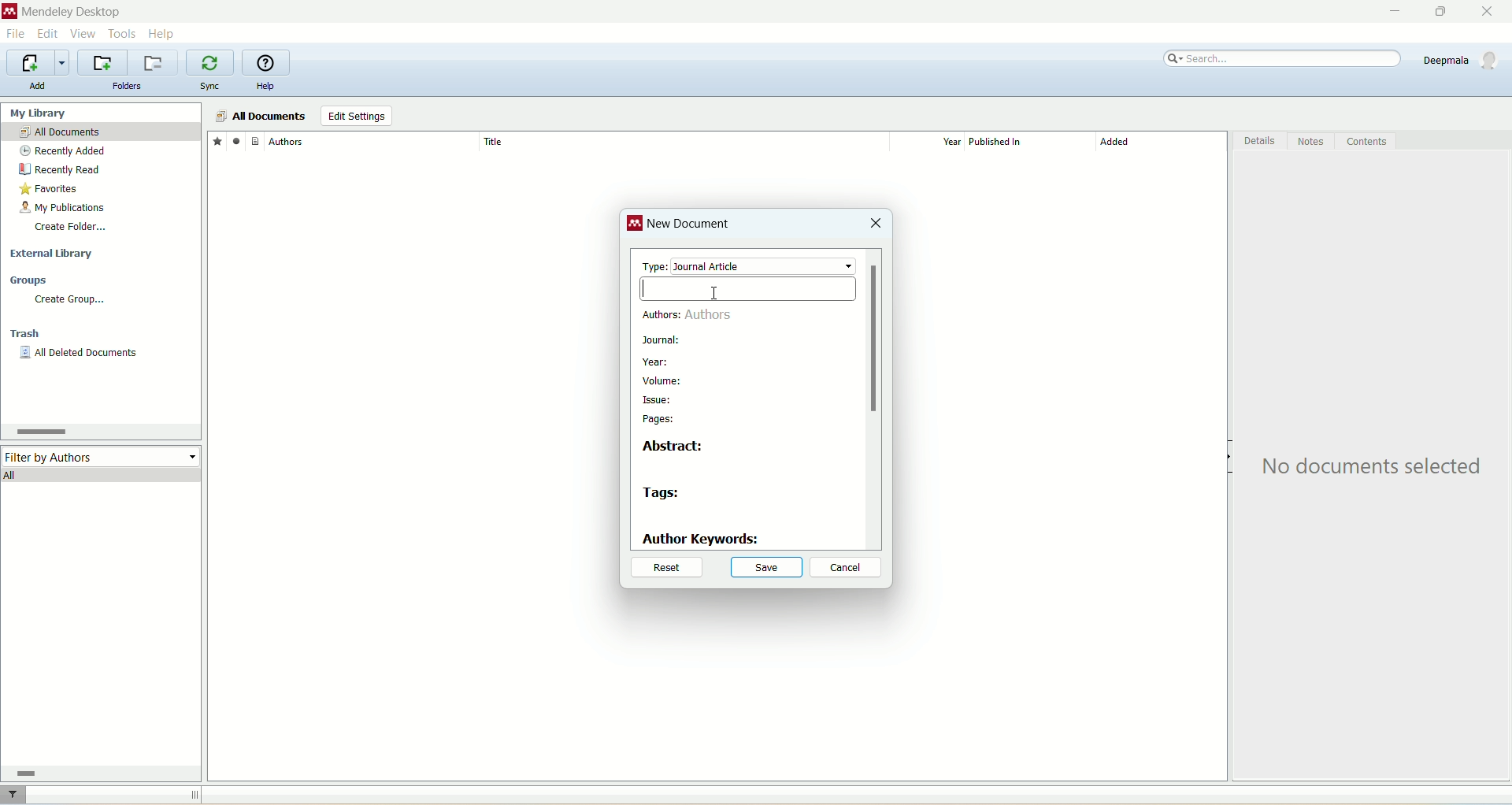  Describe the element at coordinates (217, 140) in the screenshot. I see `favorites` at that location.